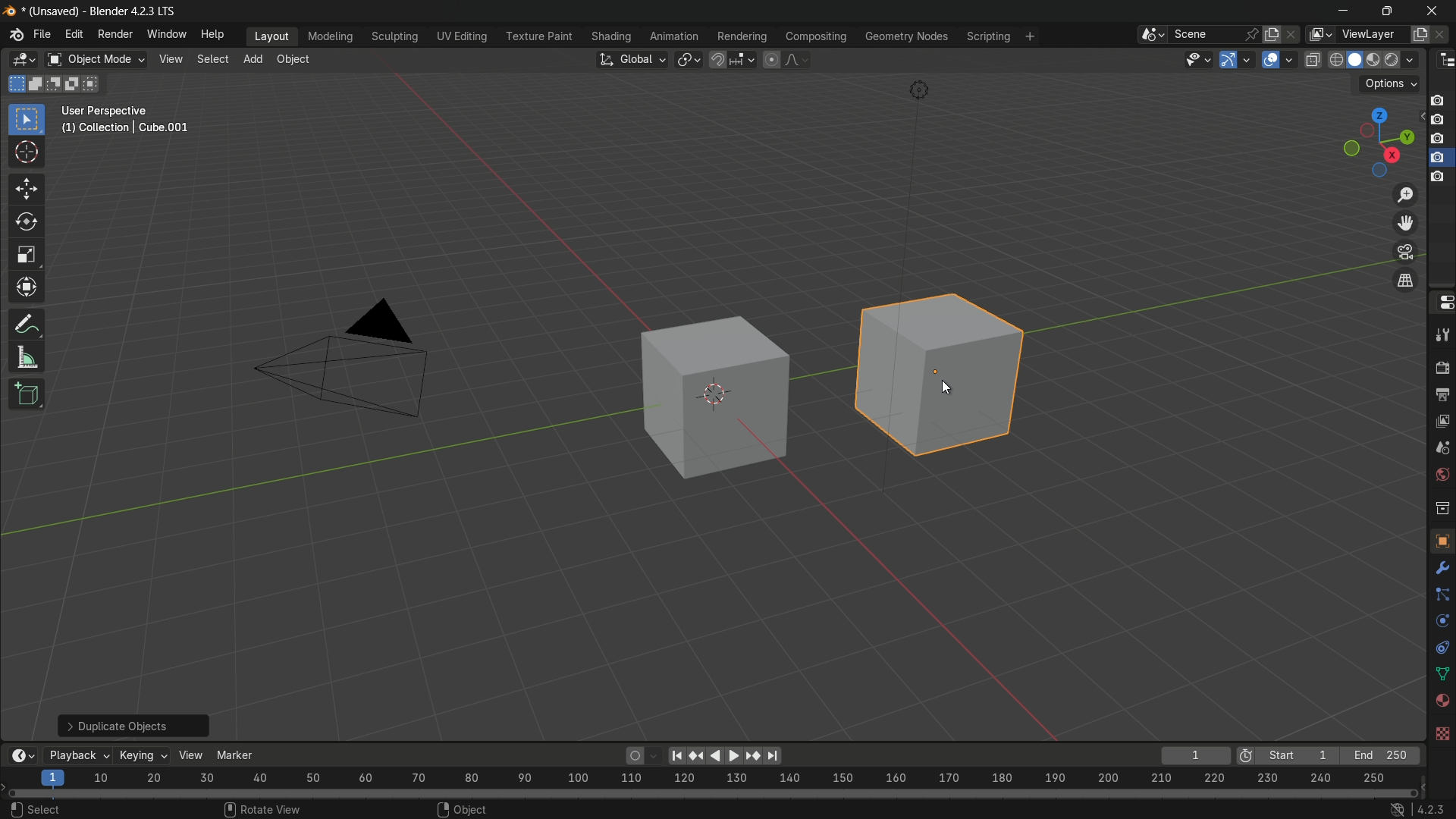 This screenshot has width=1456, height=819. What do you see at coordinates (1381, 755) in the screenshot?
I see `end timeline` at bounding box center [1381, 755].